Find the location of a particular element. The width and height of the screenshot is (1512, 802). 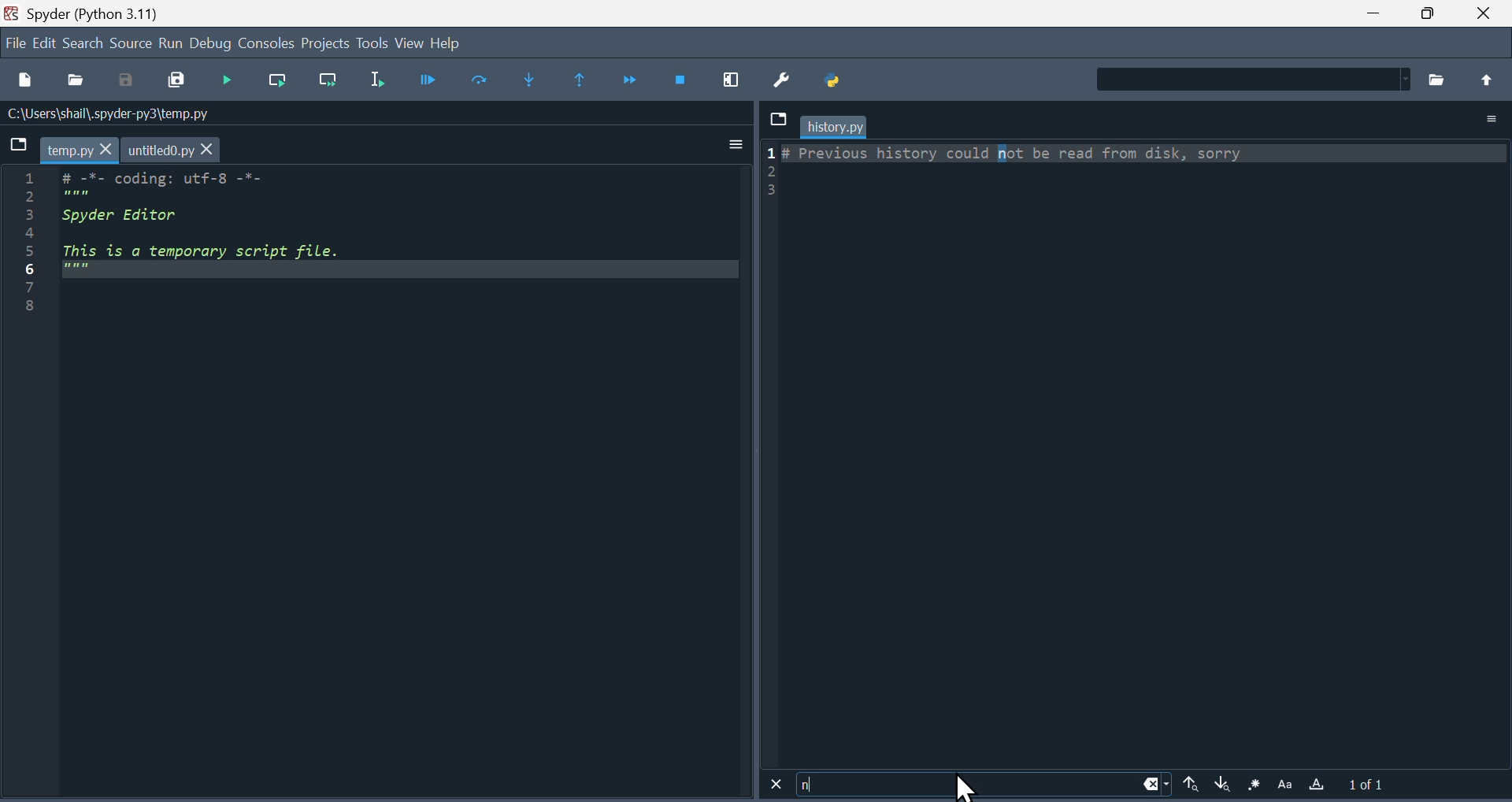

Spyder (Python 3.11) is located at coordinates (95, 14).